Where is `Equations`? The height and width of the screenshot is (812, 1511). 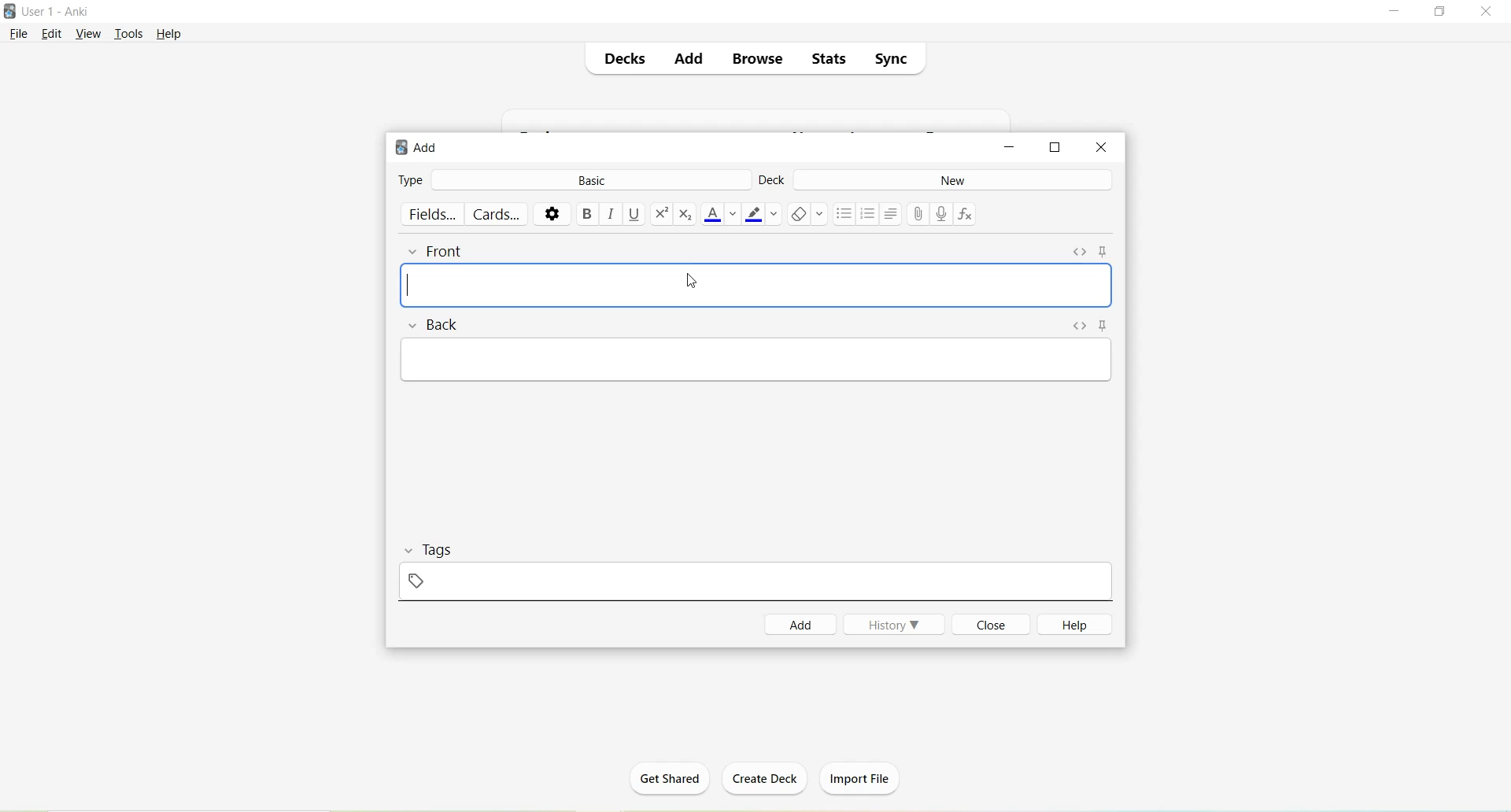
Equations is located at coordinates (968, 216).